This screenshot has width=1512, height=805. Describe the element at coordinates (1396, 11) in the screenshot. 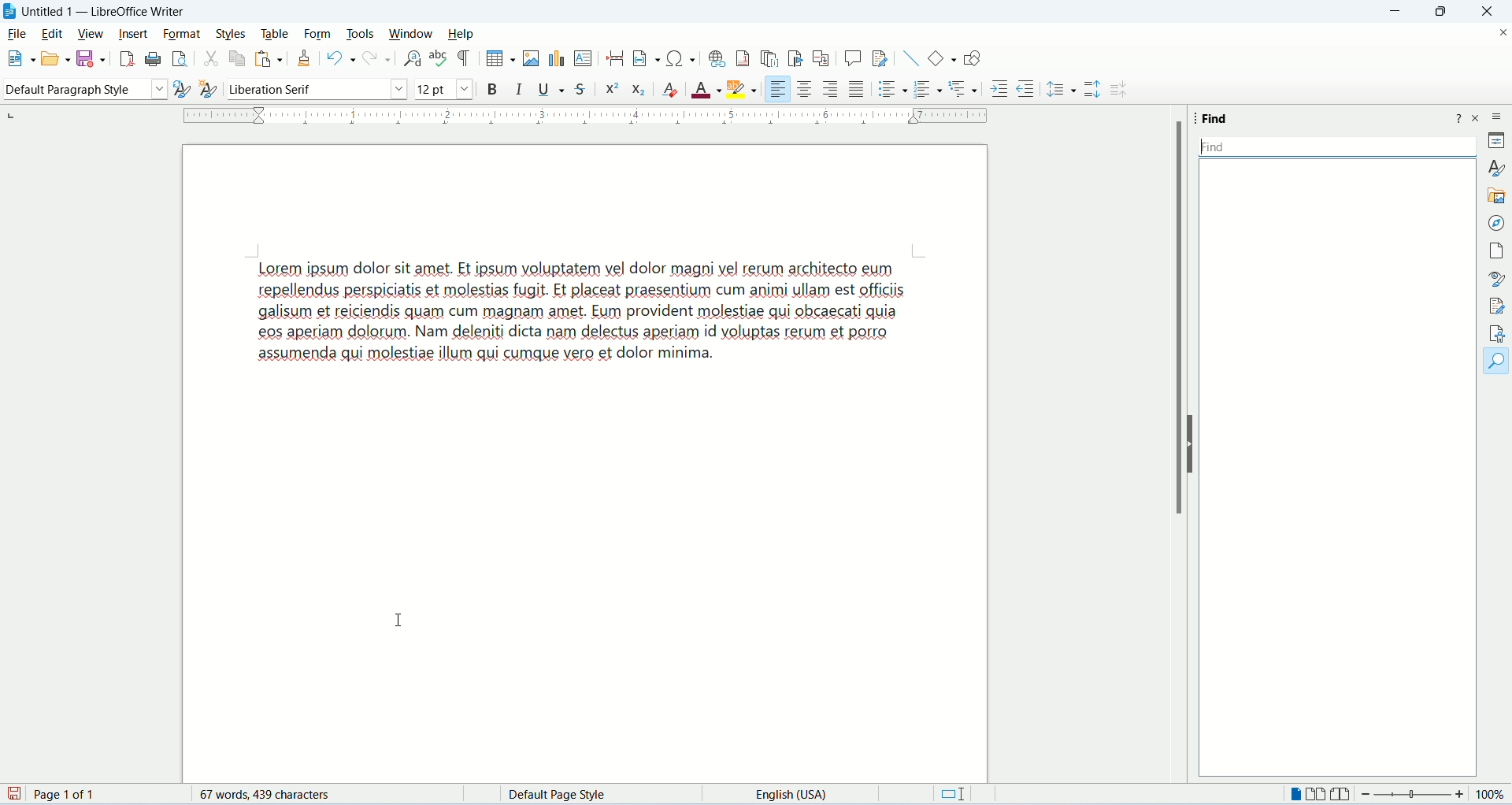

I see `minimize` at that location.